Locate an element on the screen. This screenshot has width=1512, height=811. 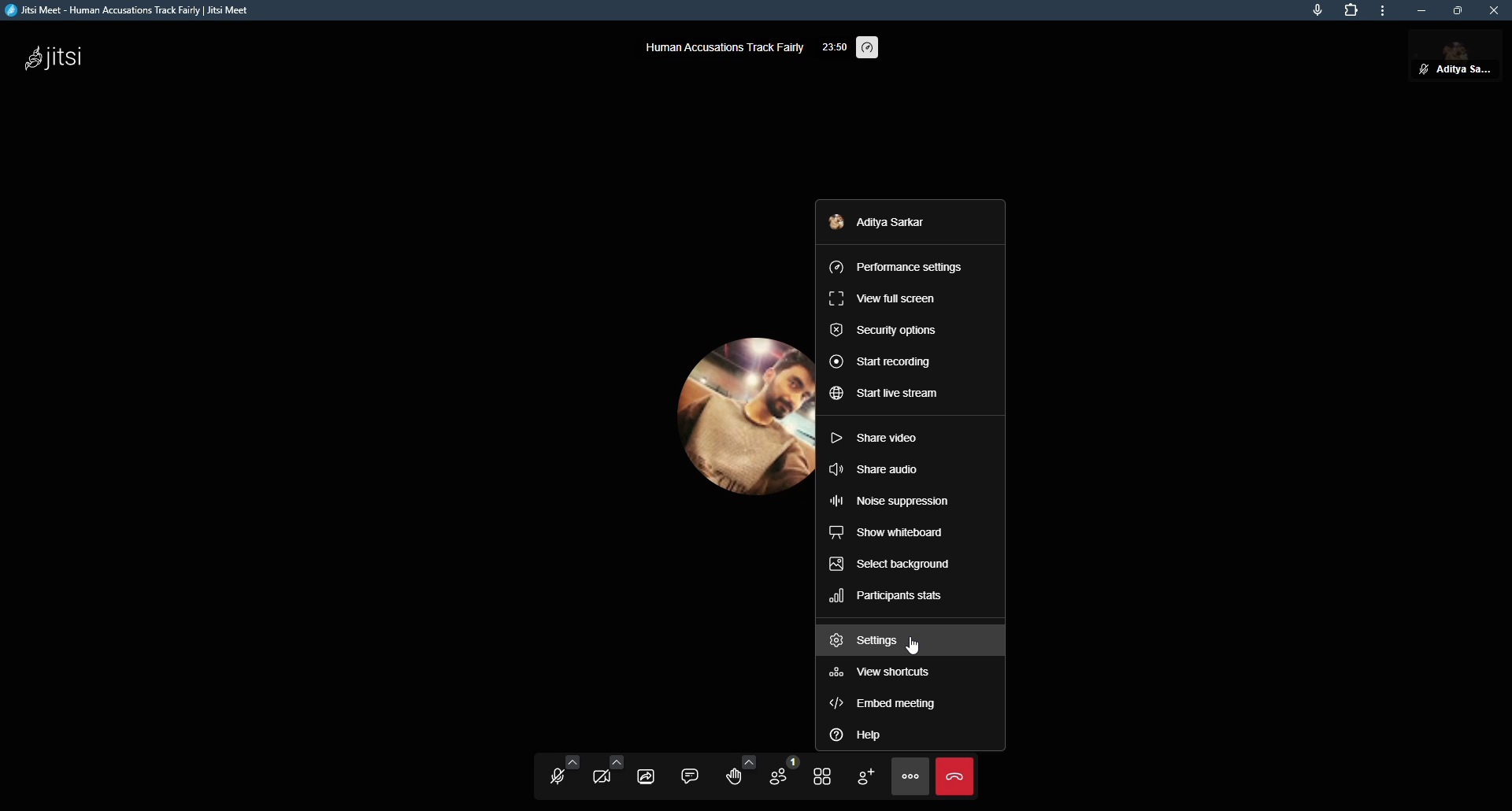
settings is located at coordinates (868, 641).